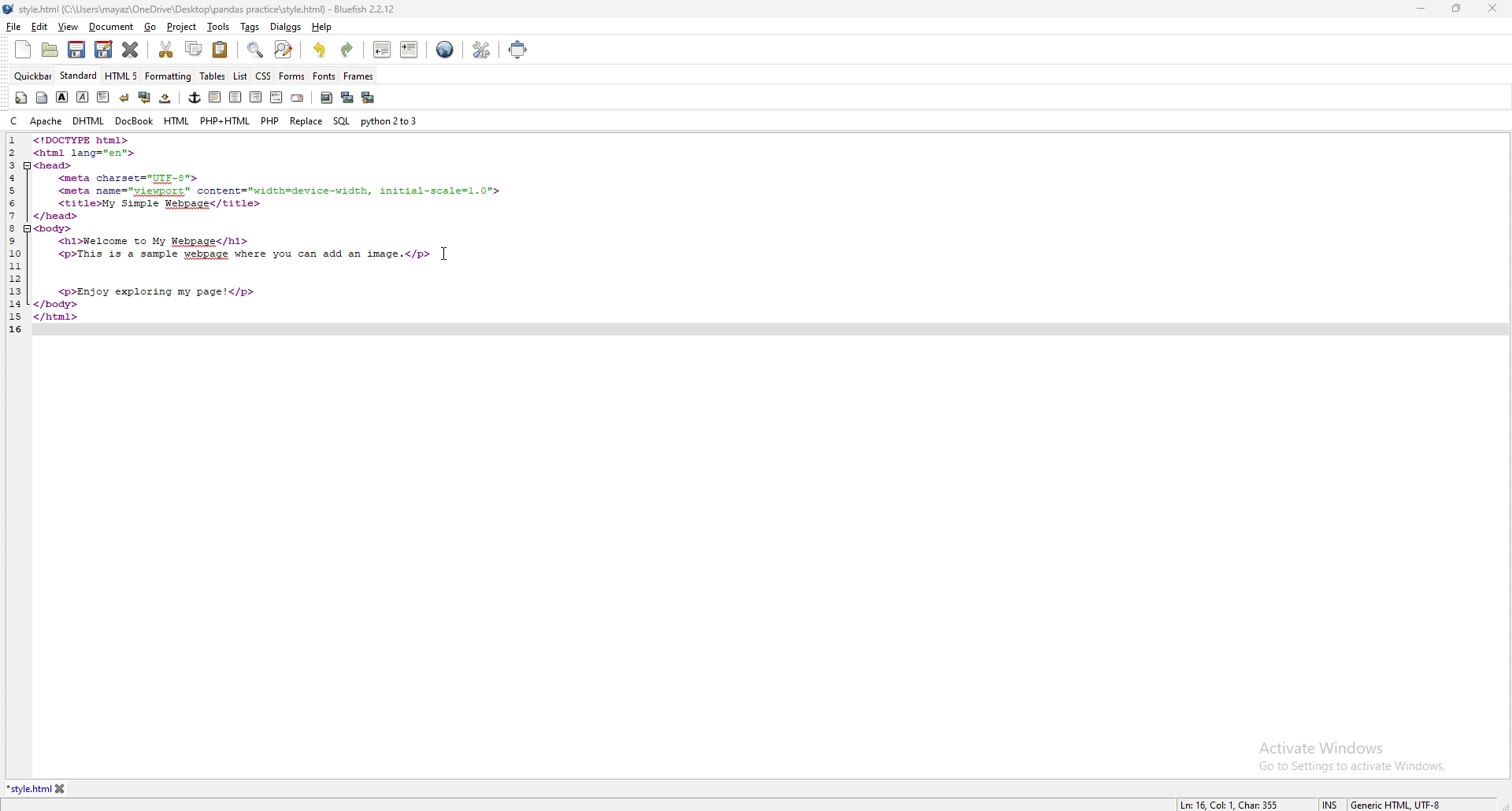 The image size is (1512, 811). I want to click on Go to Settings to activate Windows., so click(1352, 765).